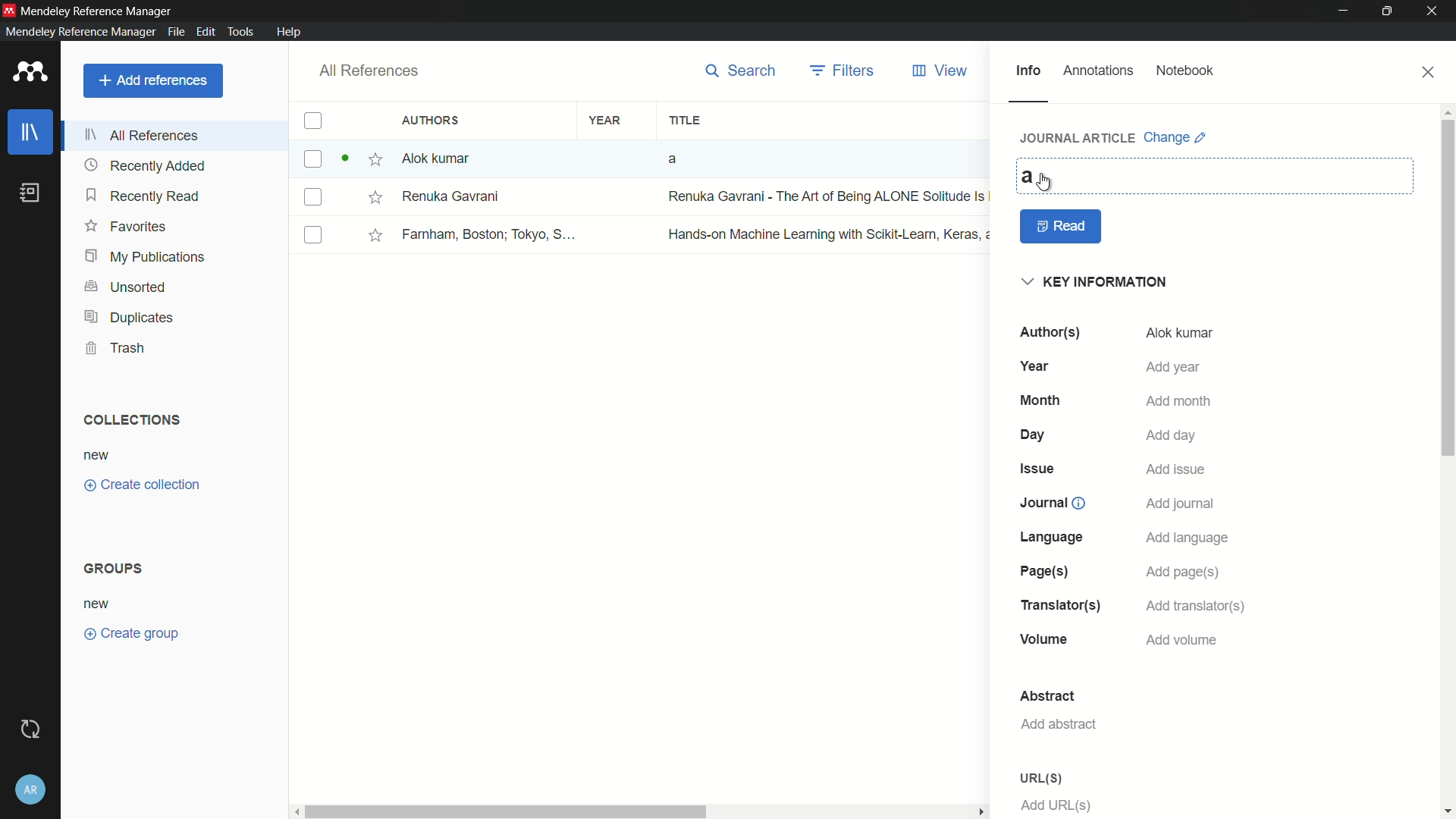 The image size is (1456, 819). Describe the element at coordinates (98, 605) in the screenshot. I see `new` at that location.